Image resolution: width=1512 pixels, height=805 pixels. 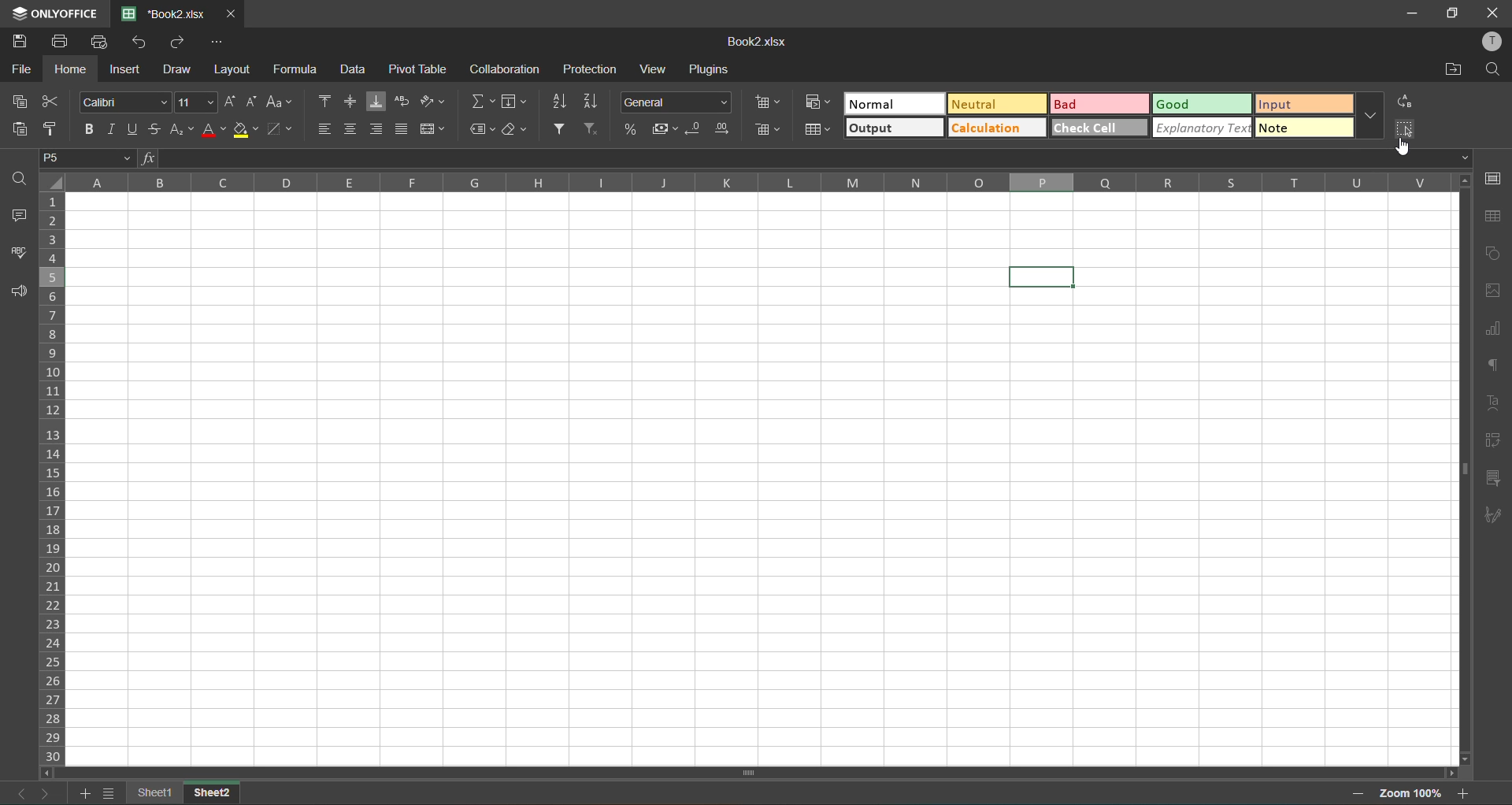 I want to click on customize quick access toolbar, so click(x=218, y=43).